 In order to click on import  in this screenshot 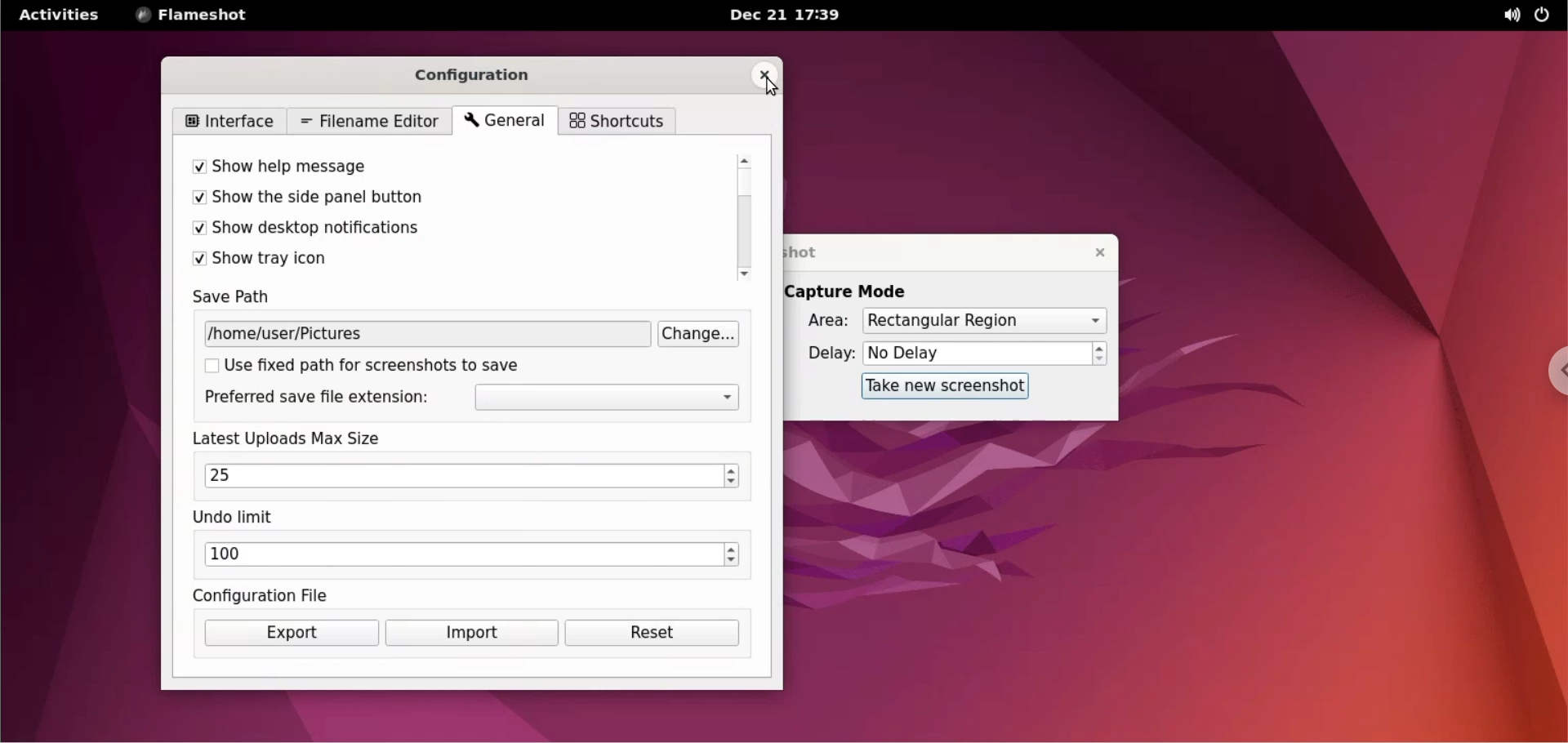, I will do `click(471, 634)`.